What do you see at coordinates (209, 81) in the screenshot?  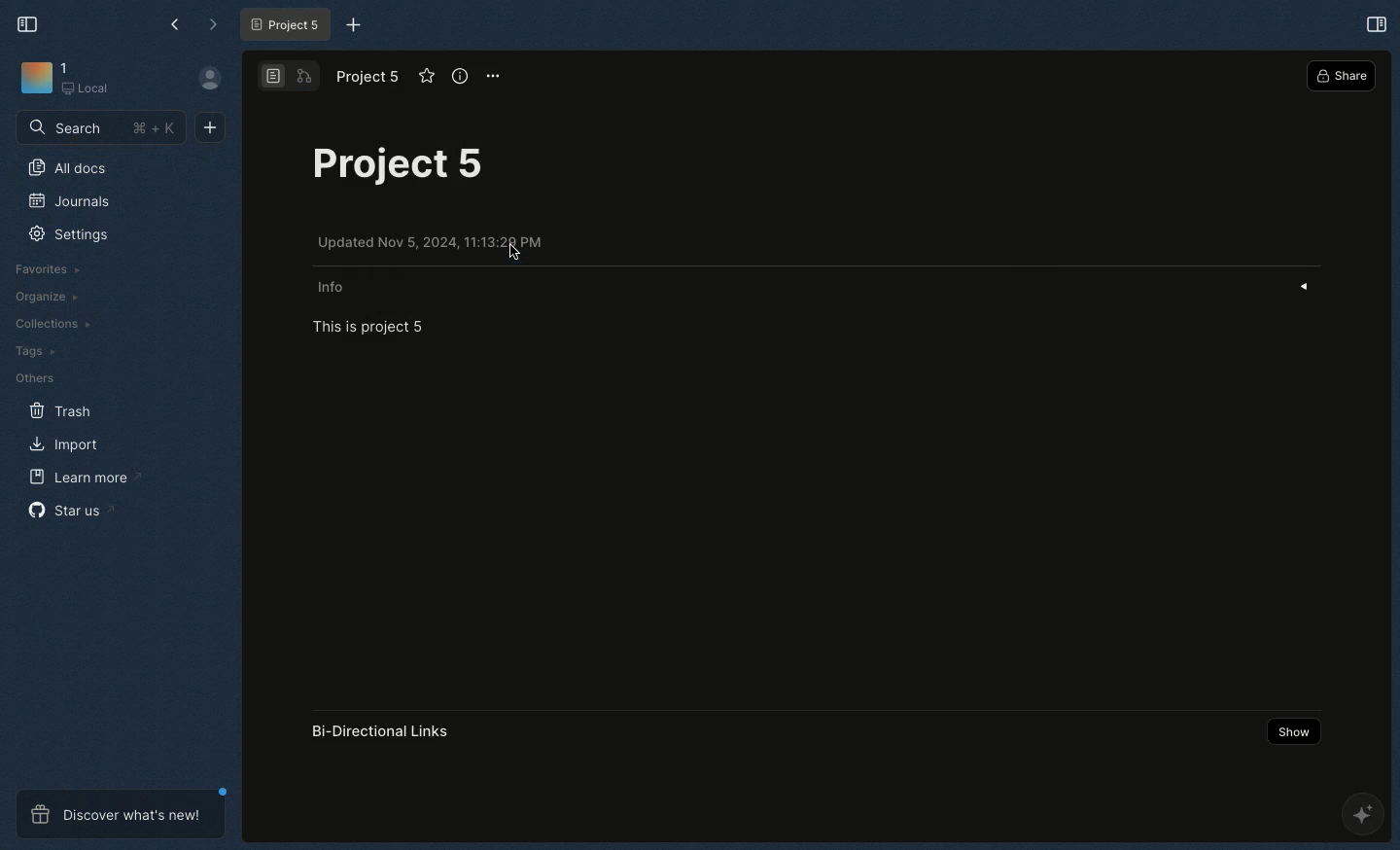 I see `User` at bounding box center [209, 81].